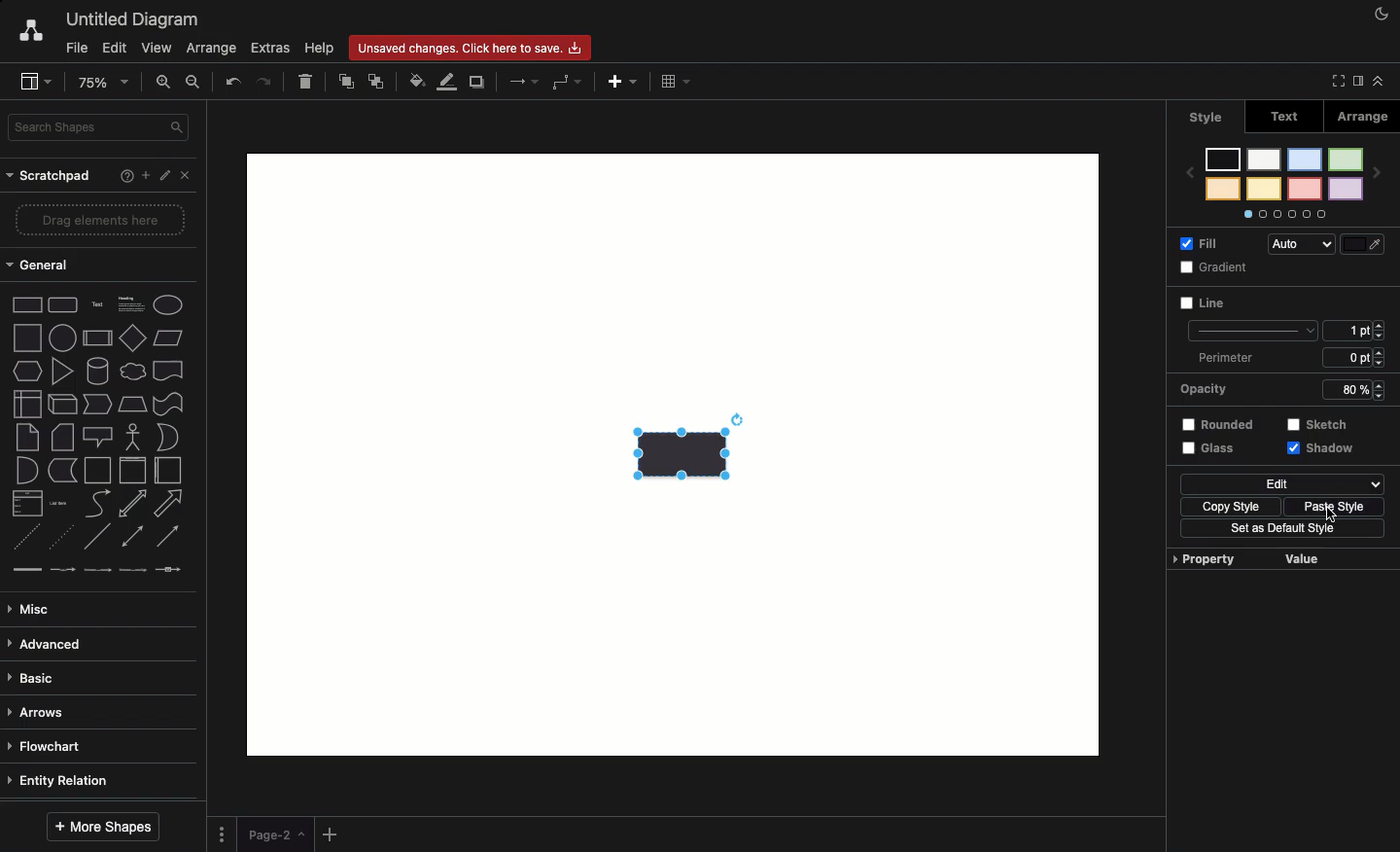 This screenshot has height=852, width=1400. Describe the element at coordinates (1304, 160) in the screenshot. I see `color 3` at that location.